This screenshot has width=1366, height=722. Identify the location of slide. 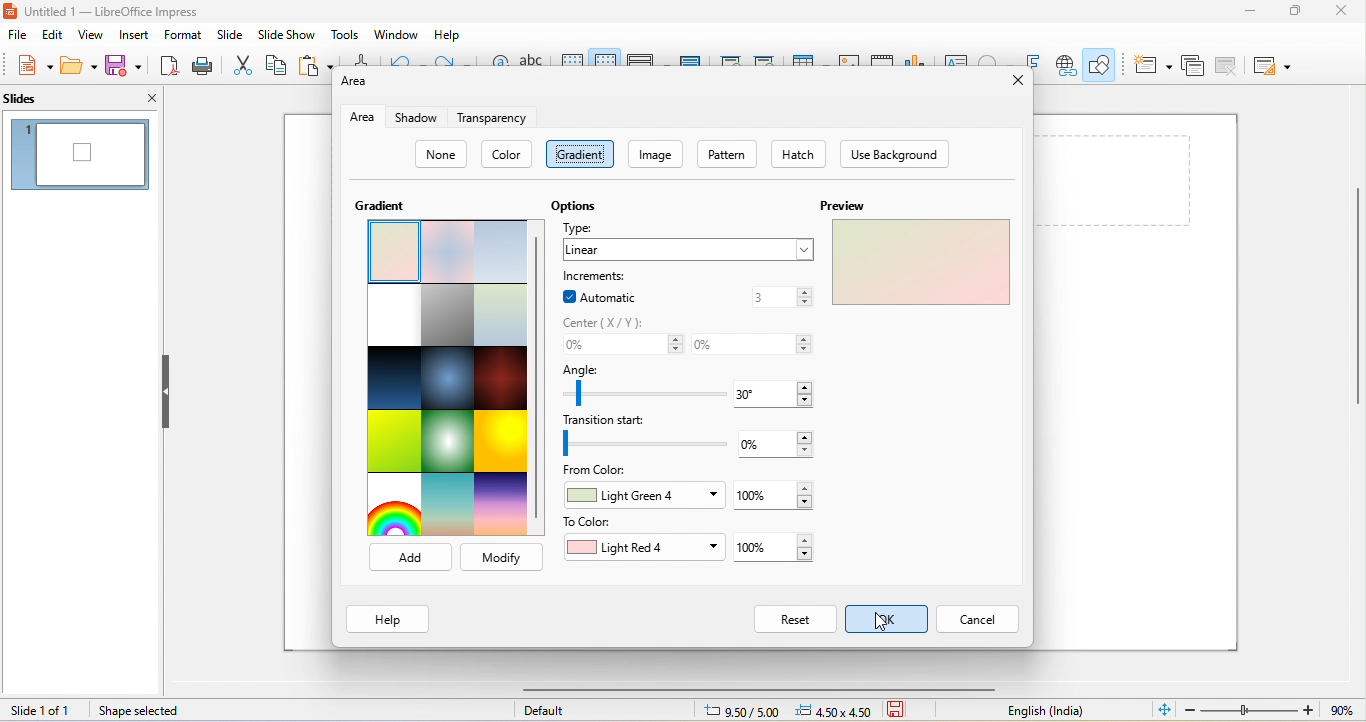
(230, 35).